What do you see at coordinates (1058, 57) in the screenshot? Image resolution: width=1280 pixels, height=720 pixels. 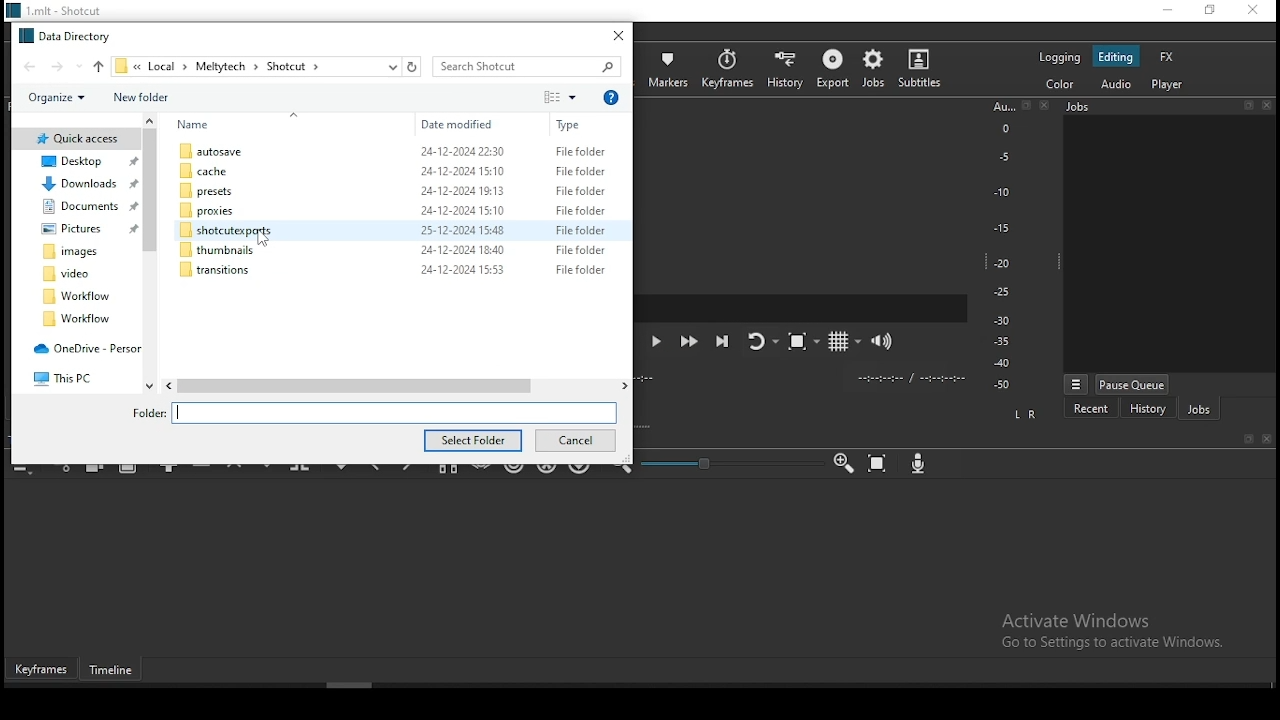 I see `logging` at bounding box center [1058, 57].